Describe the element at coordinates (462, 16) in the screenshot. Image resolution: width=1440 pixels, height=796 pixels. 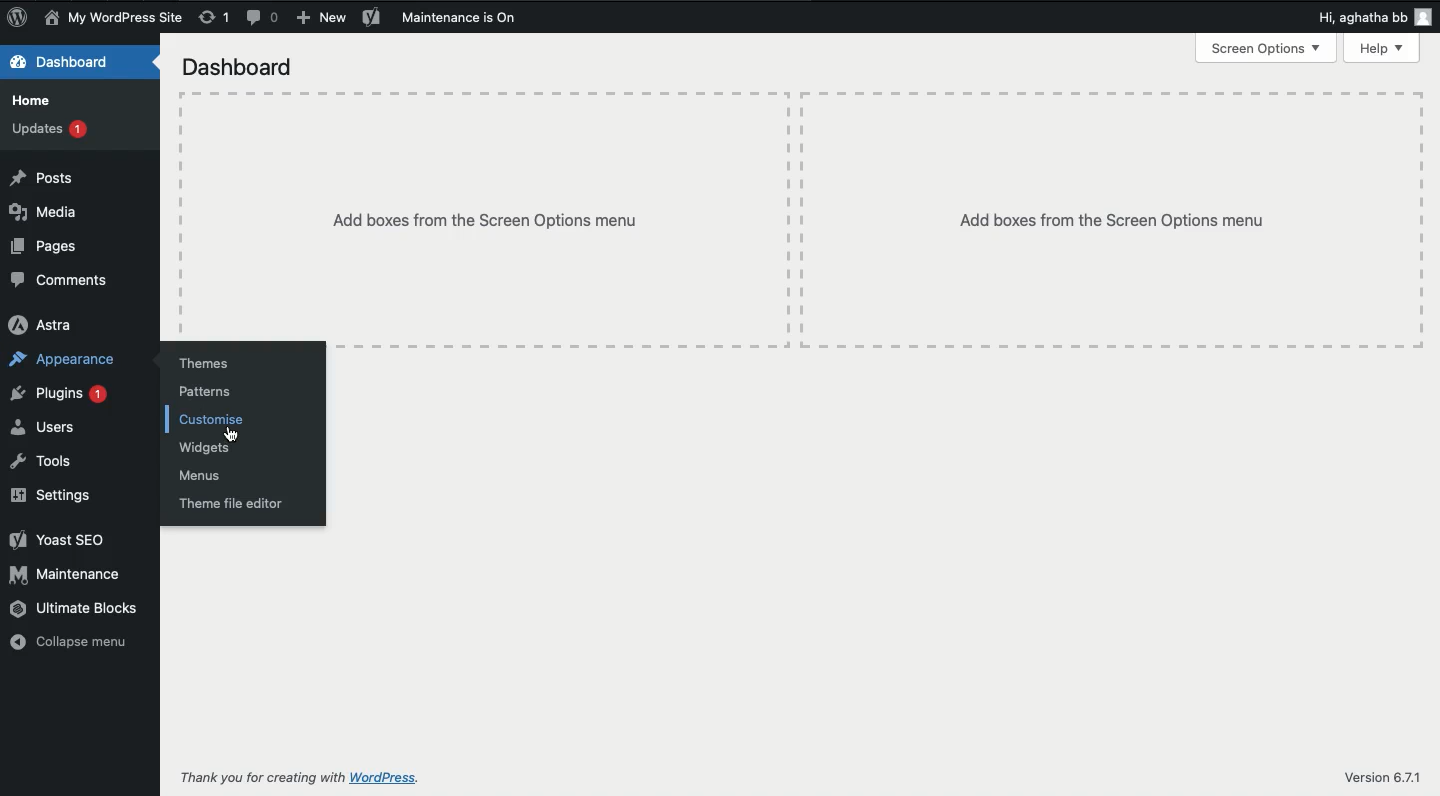
I see `Maintenance is on` at that location.